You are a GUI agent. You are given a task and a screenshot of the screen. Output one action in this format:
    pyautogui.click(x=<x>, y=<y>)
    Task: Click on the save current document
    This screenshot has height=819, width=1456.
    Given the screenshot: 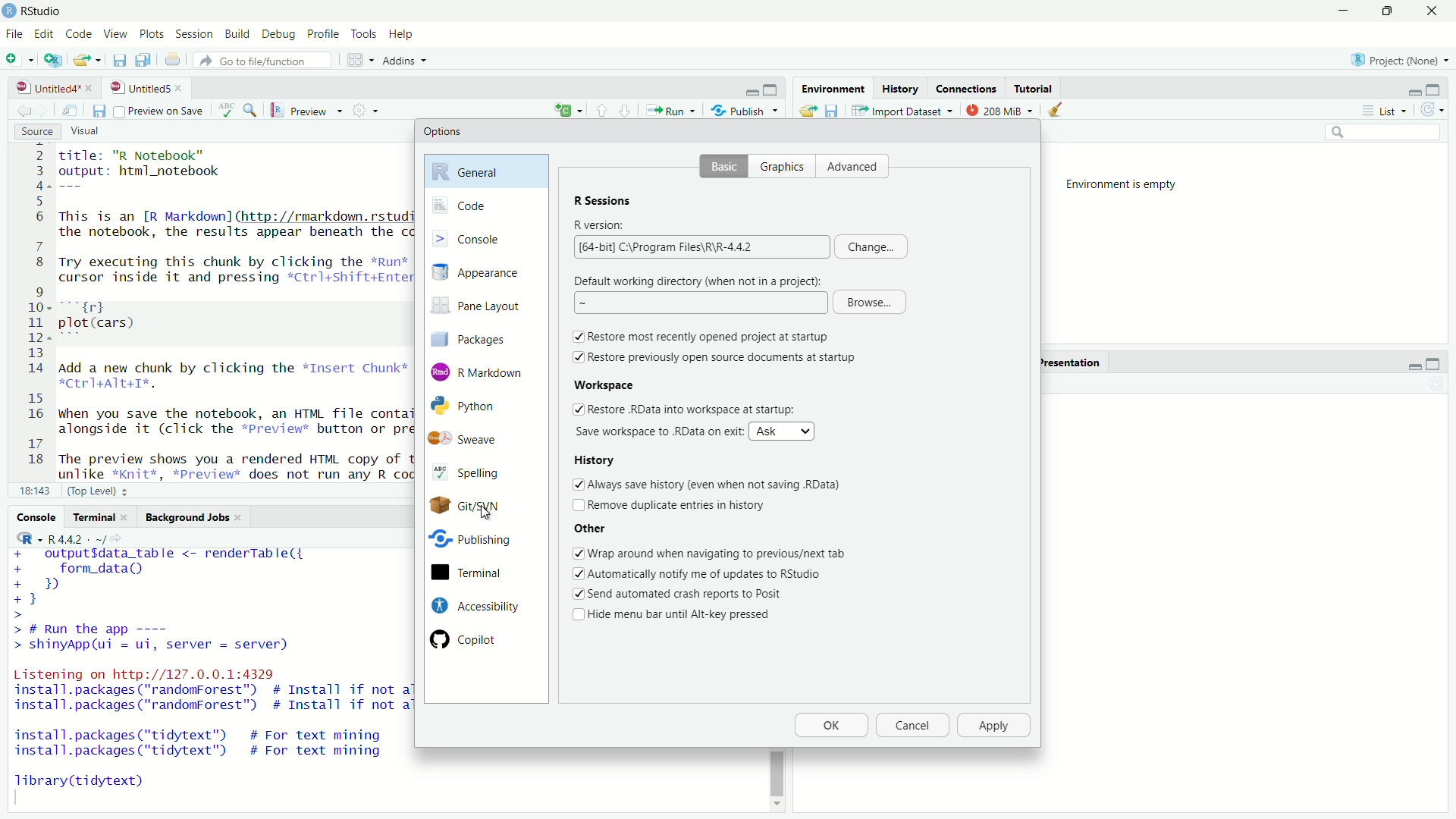 What is the action you would take?
    pyautogui.click(x=120, y=60)
    